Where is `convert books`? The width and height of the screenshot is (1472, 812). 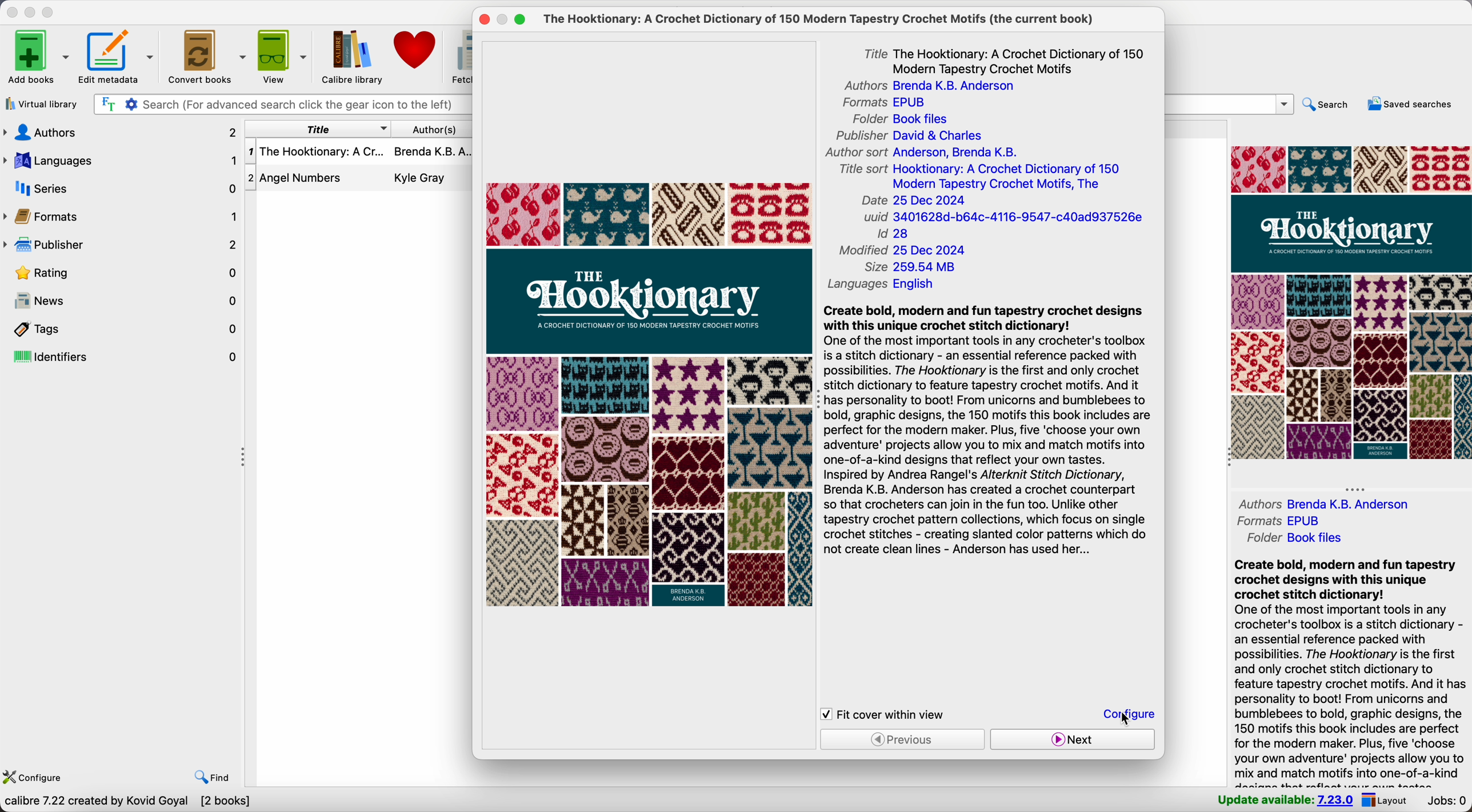 convert books is located at coordinates (205, 55).